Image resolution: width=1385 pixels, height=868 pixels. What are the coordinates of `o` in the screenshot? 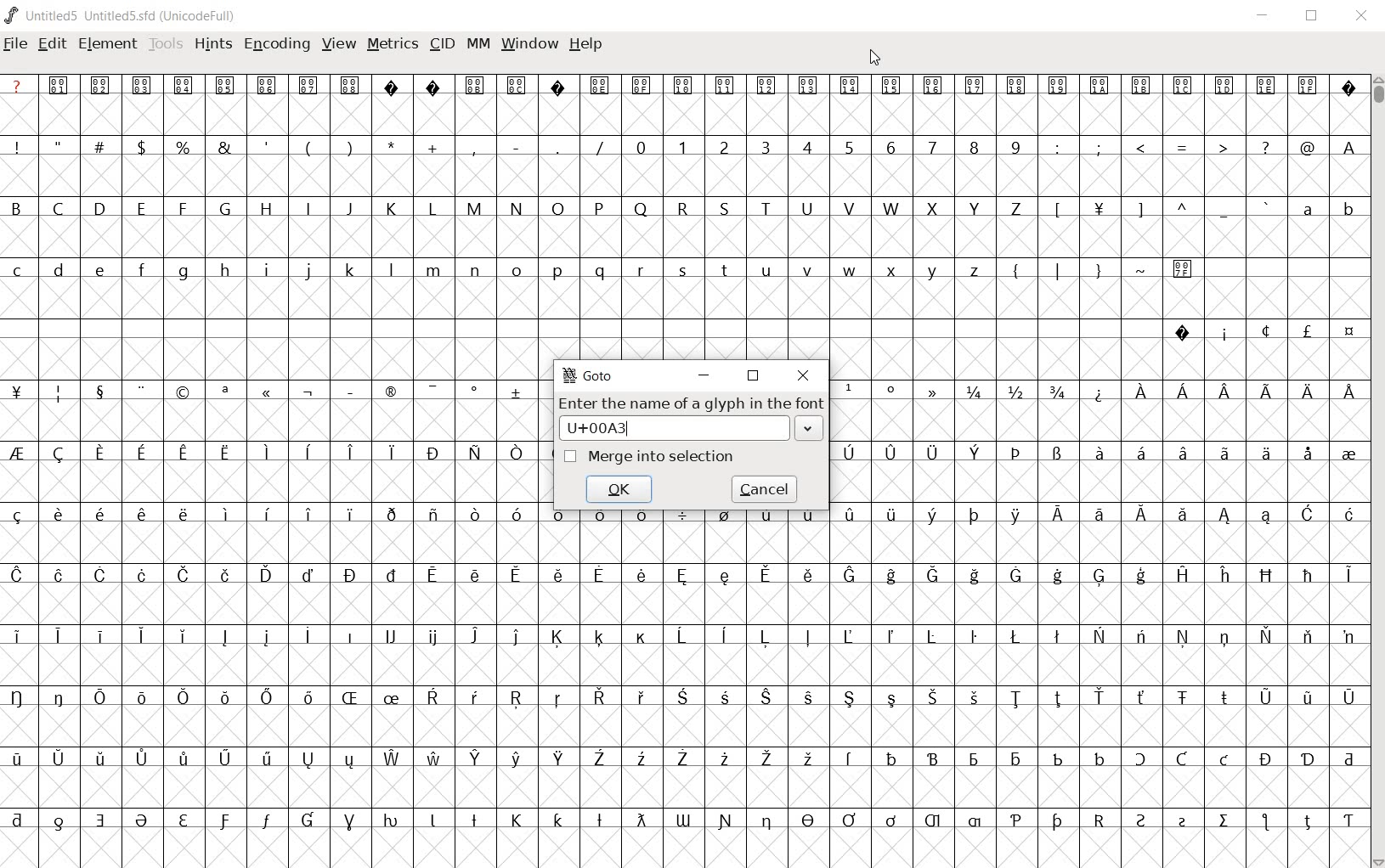 It's located at (517, 272).